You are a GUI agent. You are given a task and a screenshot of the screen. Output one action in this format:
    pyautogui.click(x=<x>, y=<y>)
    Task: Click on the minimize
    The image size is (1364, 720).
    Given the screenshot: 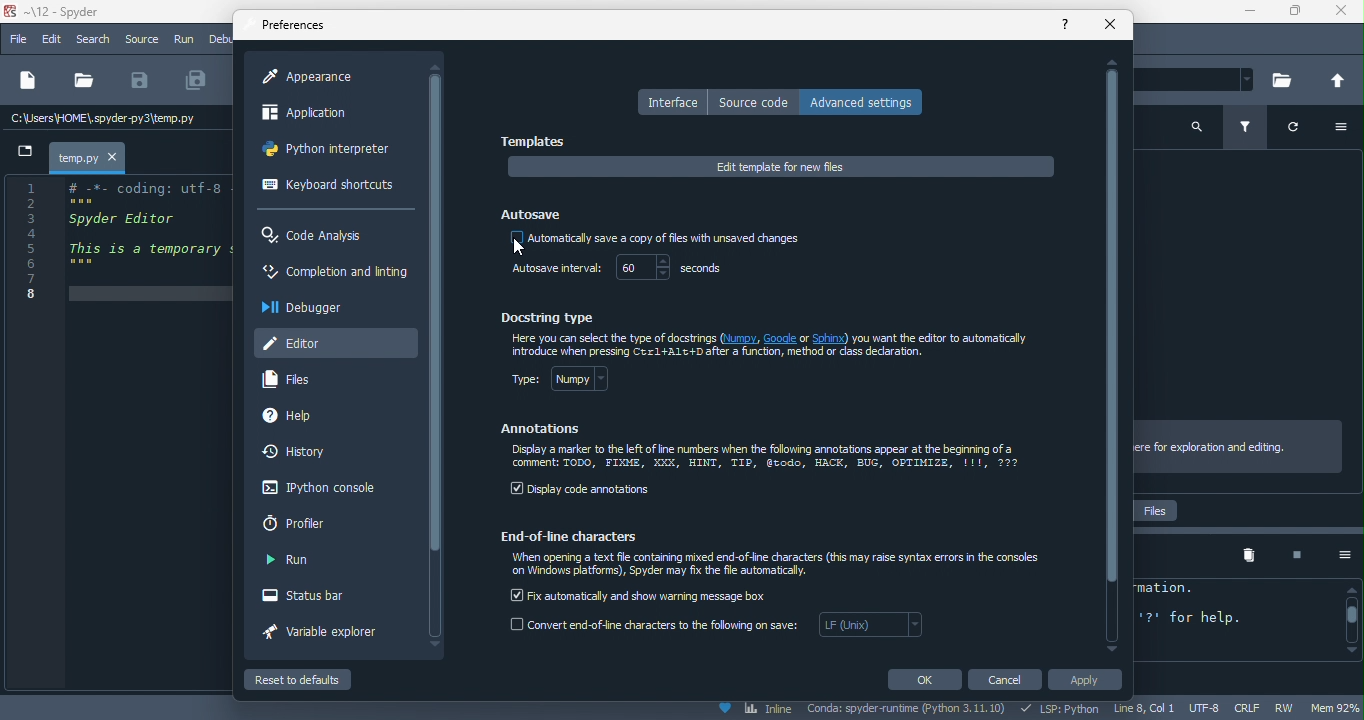 What is the action you would take?
    pyautogui.click(x=1243, y=13)
    